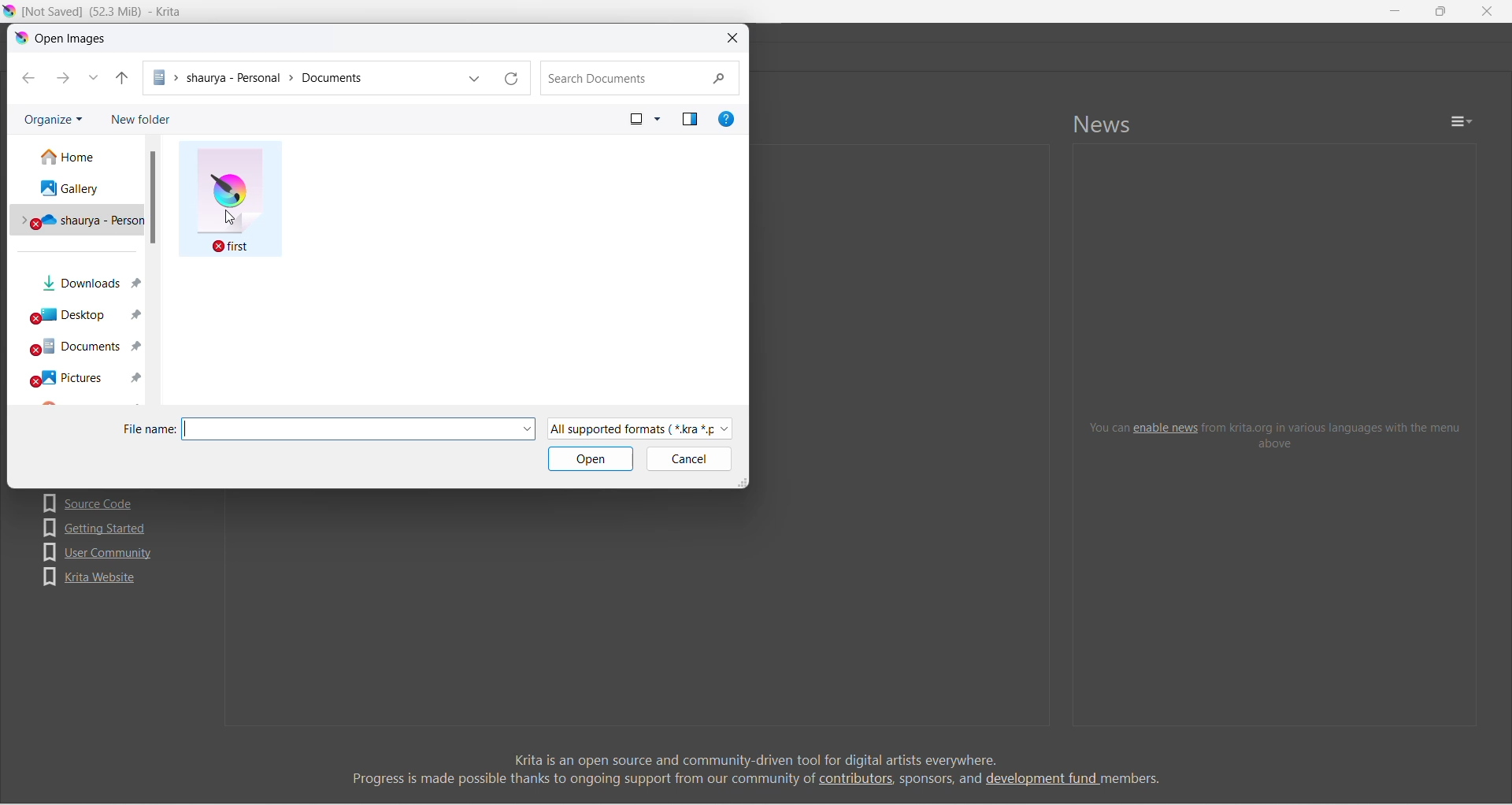  I want to click on recent location, so click(94, 78).